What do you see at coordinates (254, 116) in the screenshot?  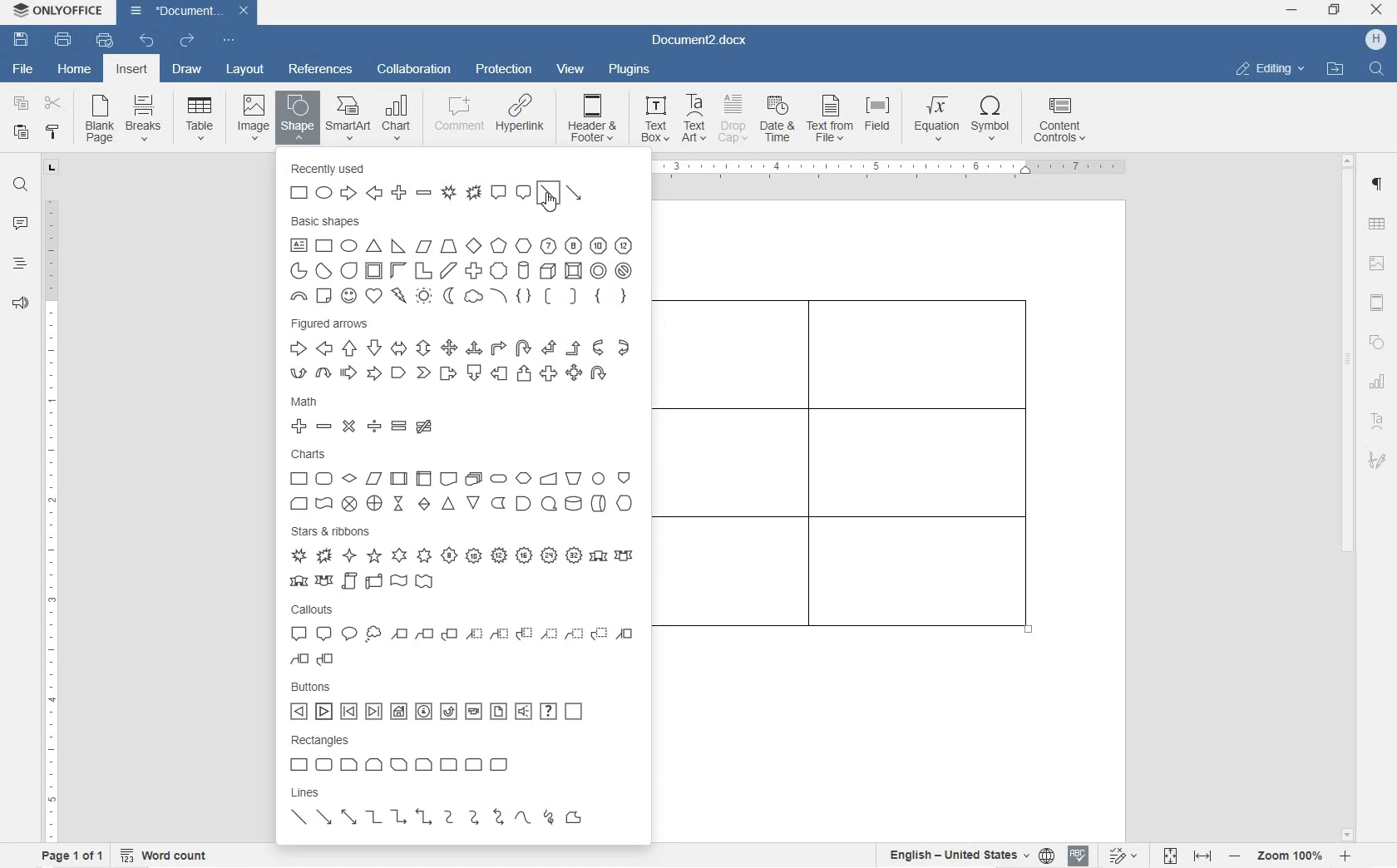 I see `insert image` at bounding box center [254, 116].